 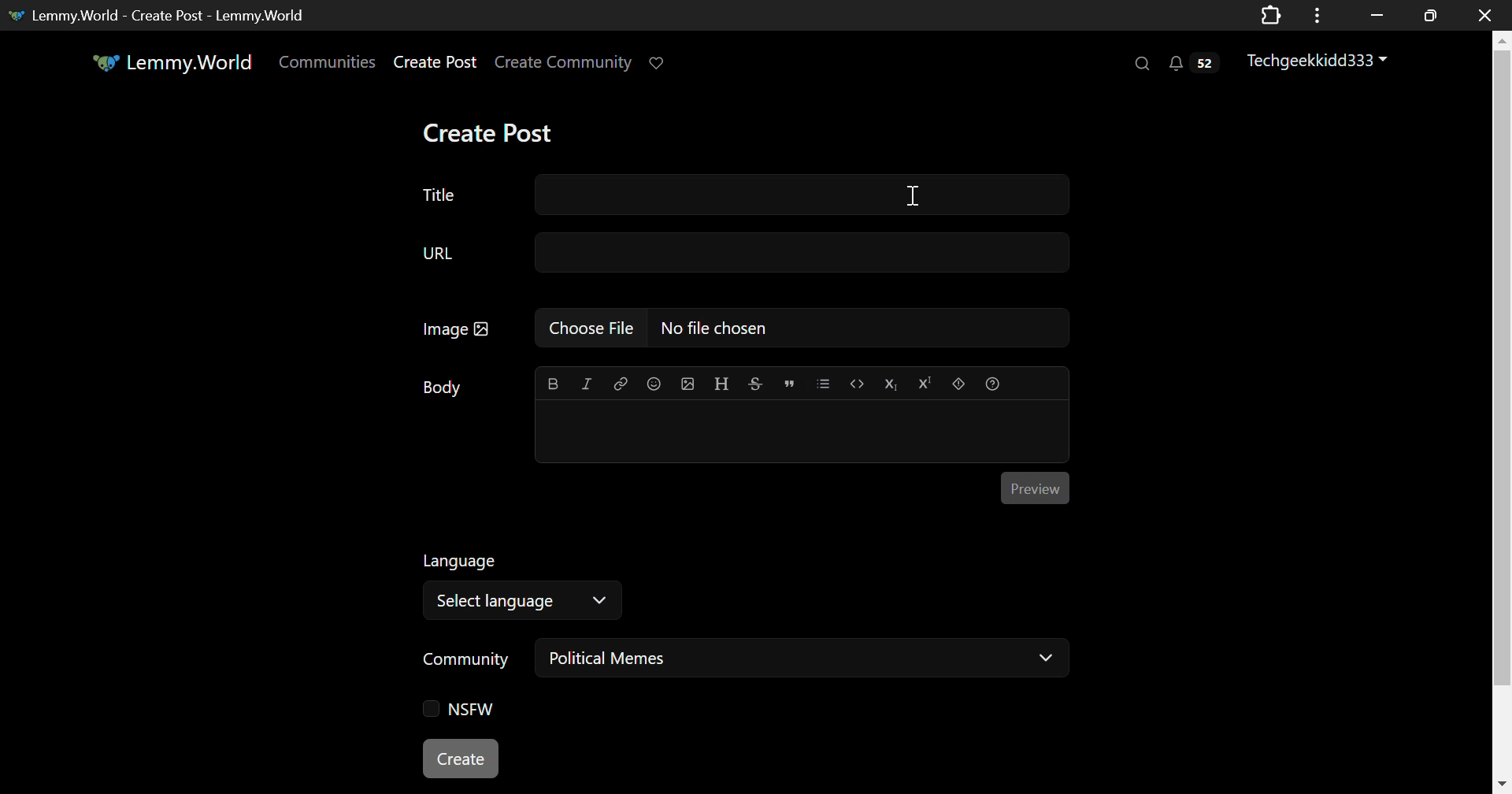 I want to click on Insert Image Field, so click(x=737, y=328).